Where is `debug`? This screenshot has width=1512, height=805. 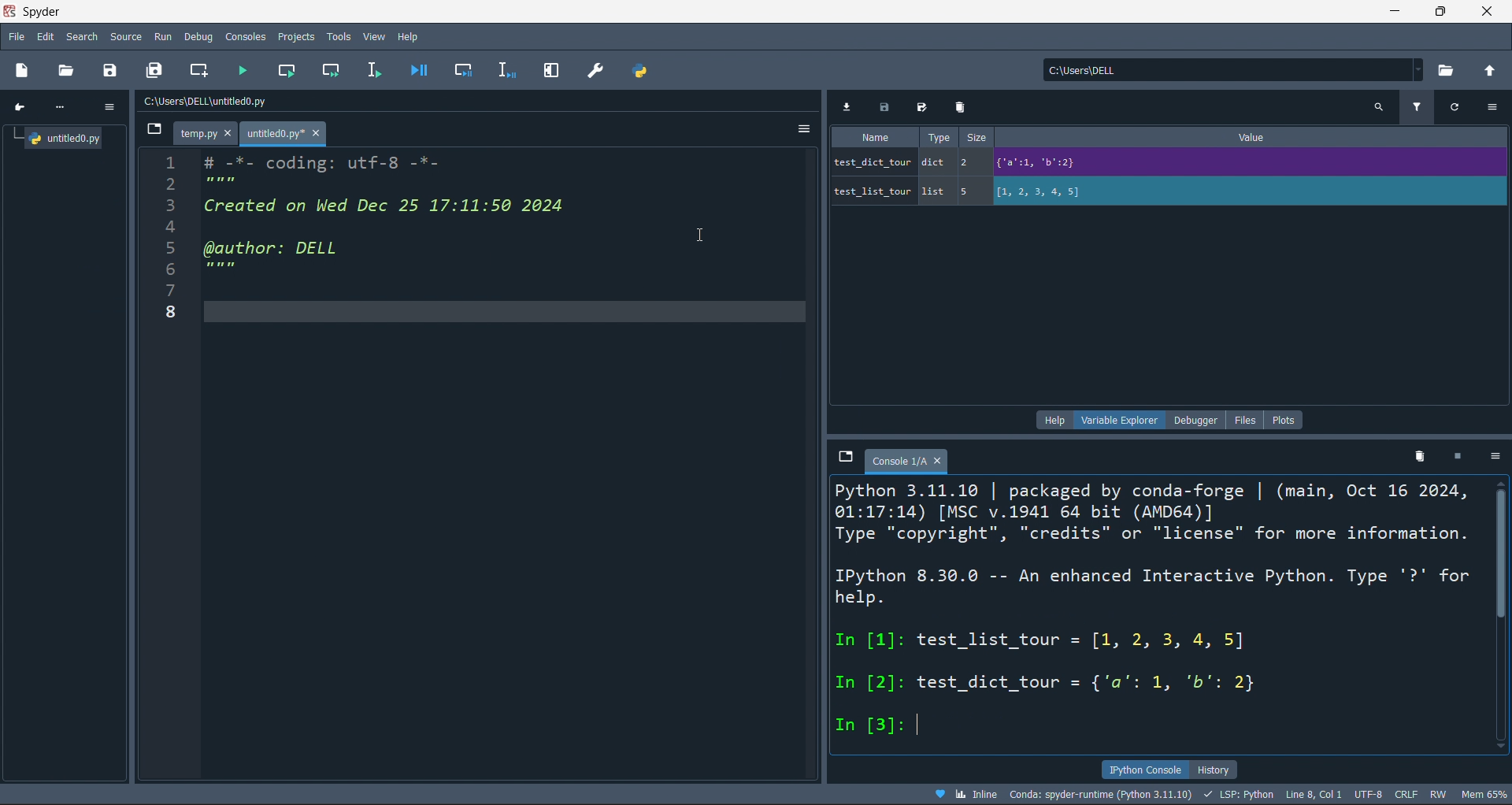
debug is located at coordinates (197, 36).